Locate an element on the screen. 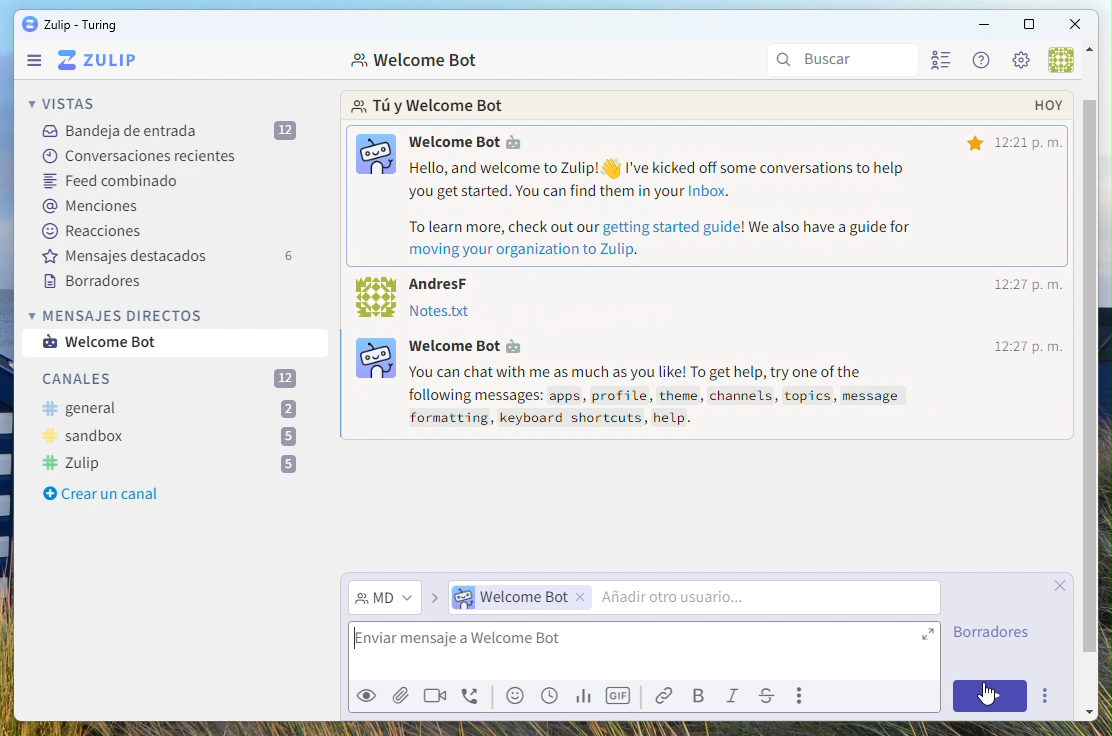 The height and width of the screenshot is (736, 1112). Important Messages is located at coordinates (181, 255).